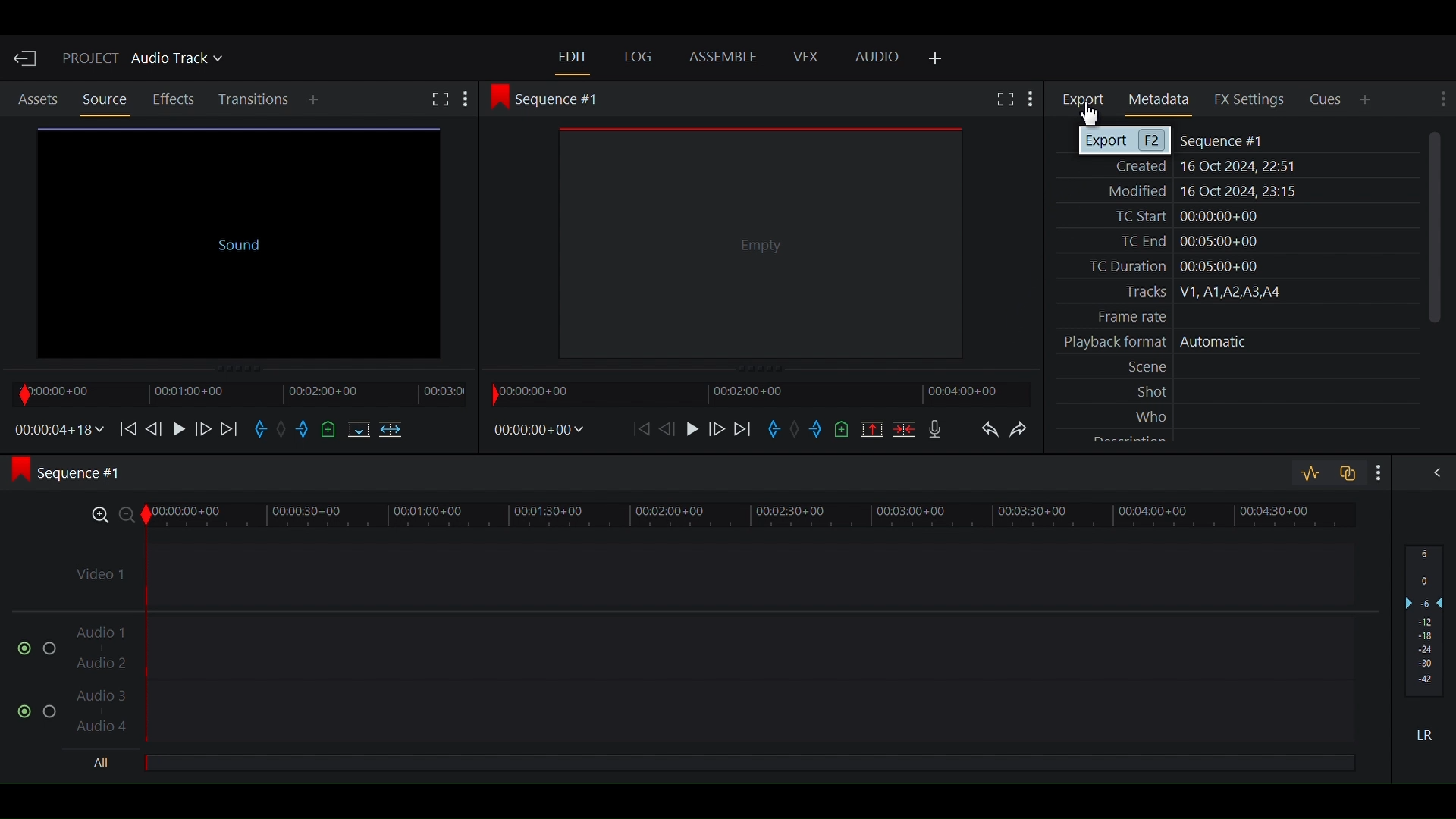  What do you see at coordinates (818, 431) in the screenshot?
I see `Mark out` at bounding box center [818, 431].